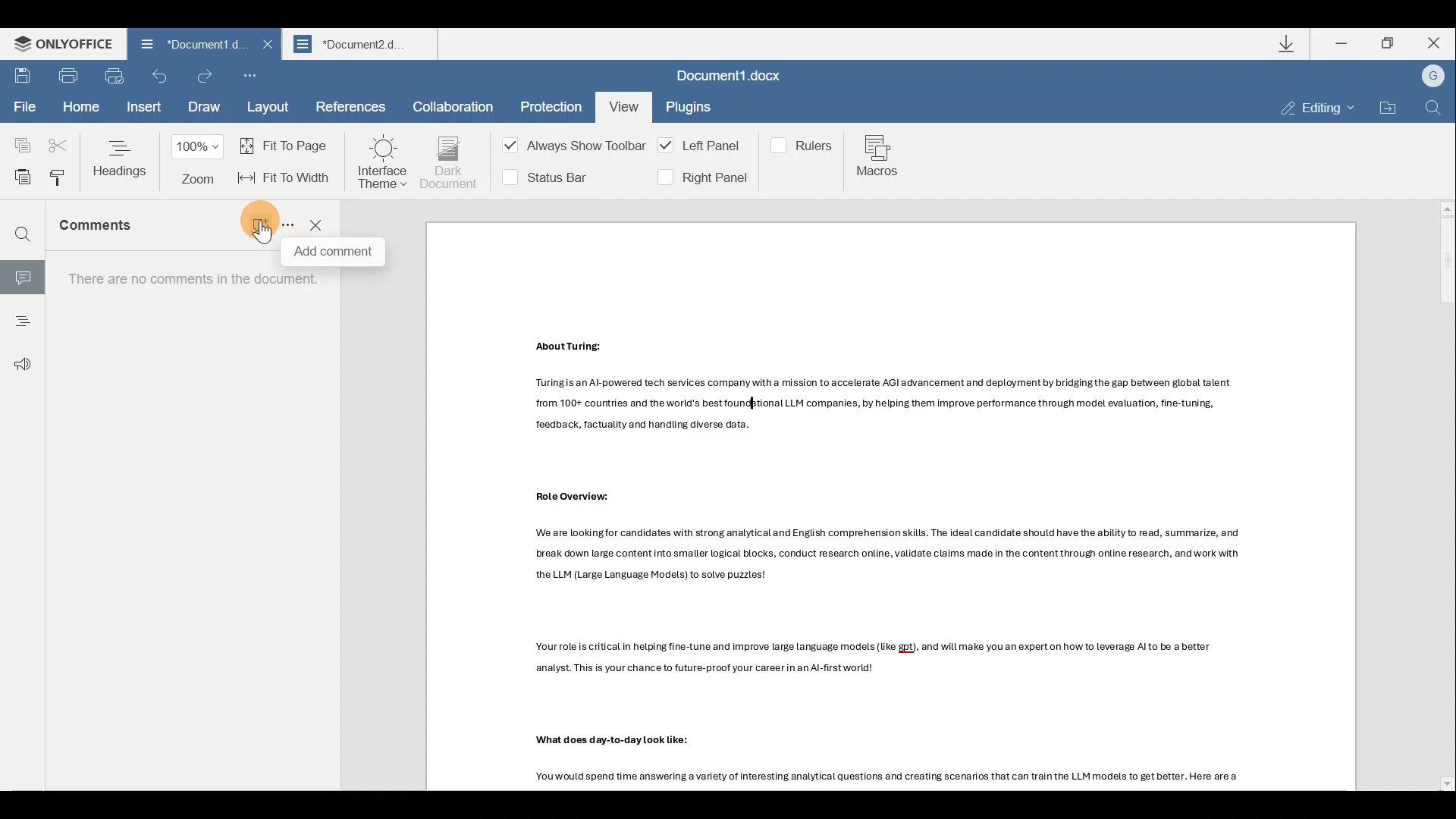 This screenshot has width=1456, height=819. I want to click on Layout, so click(269, 108).